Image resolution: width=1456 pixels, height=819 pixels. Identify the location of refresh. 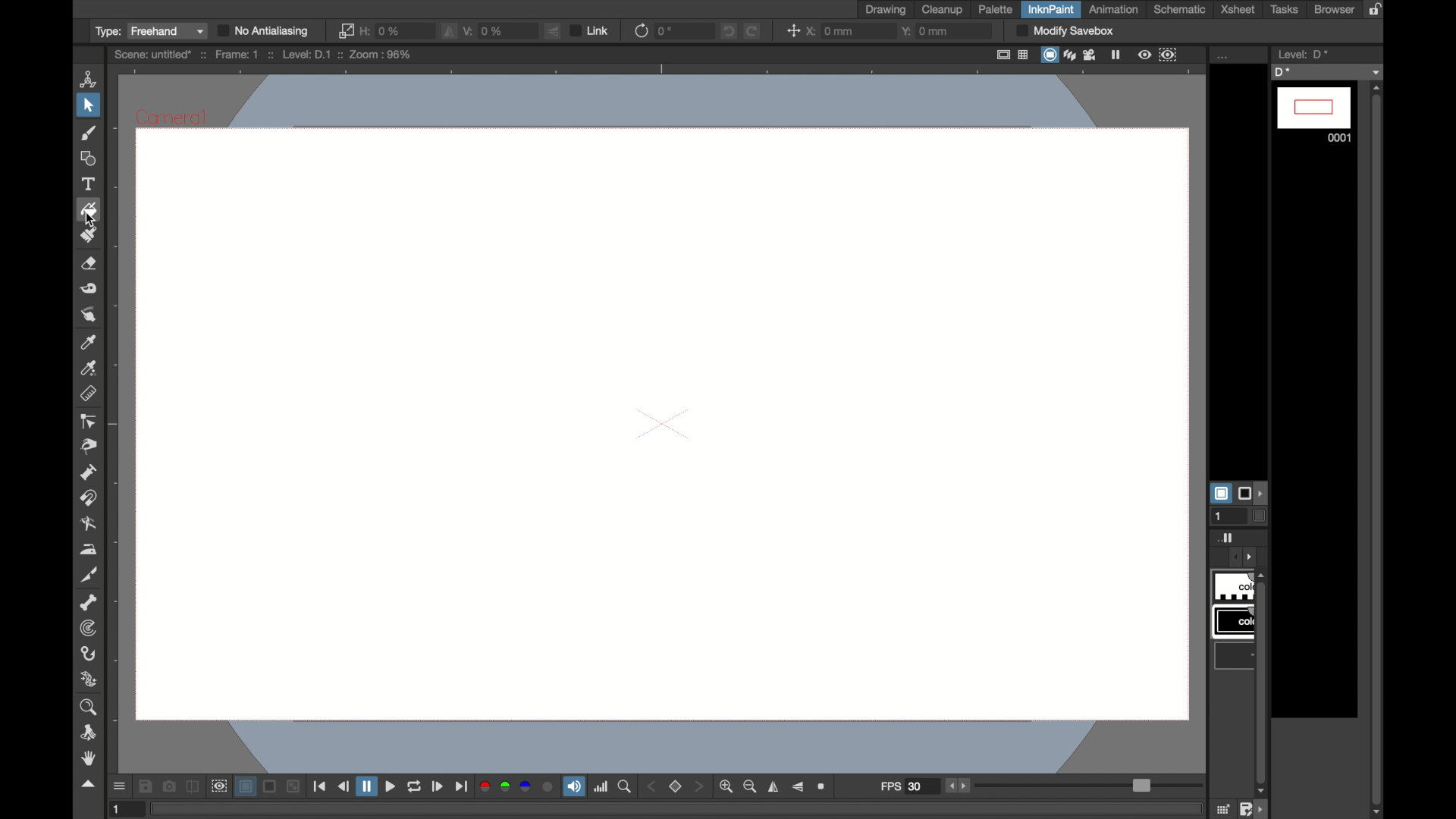
(641, 30).